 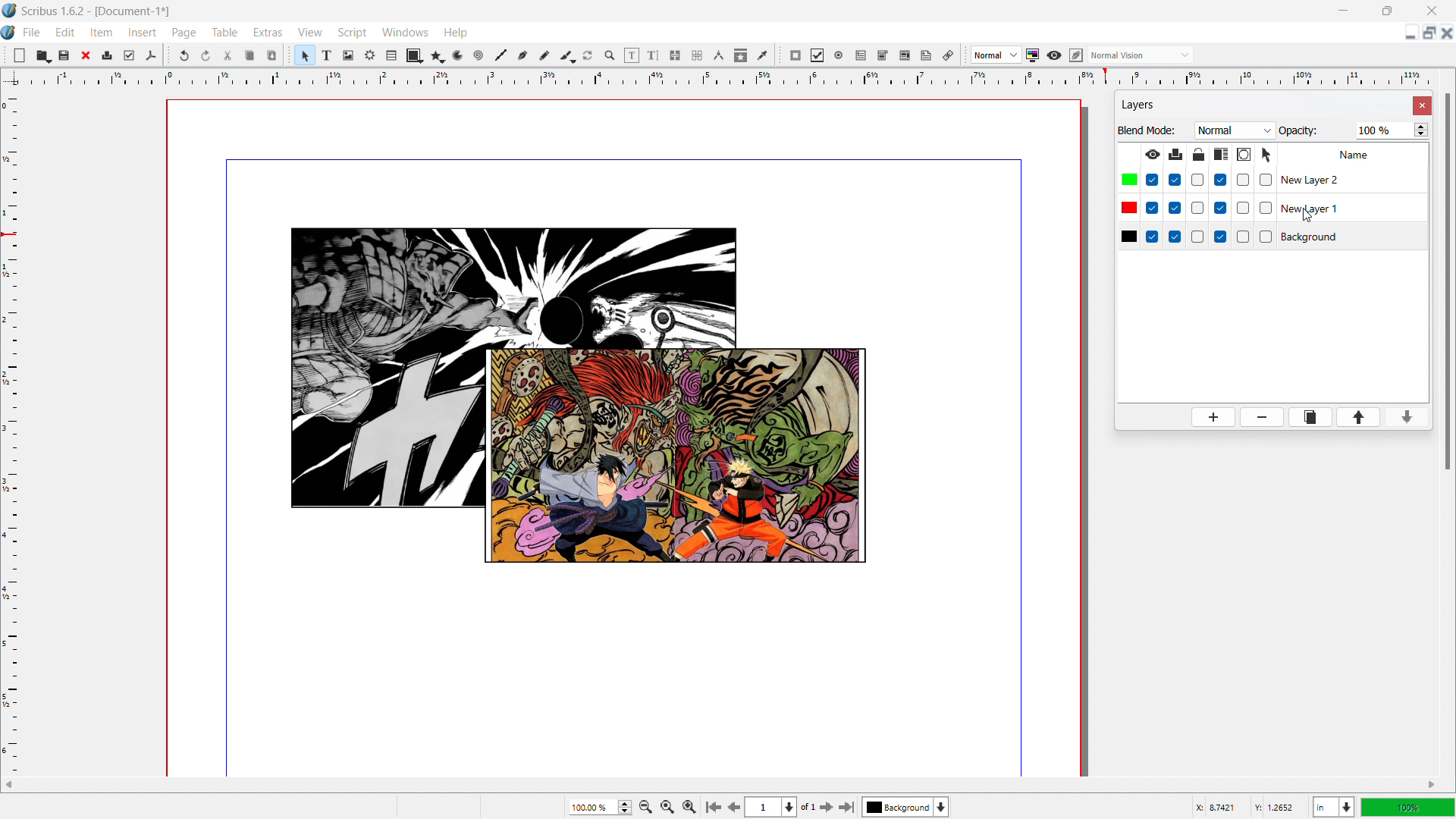 I want to click on pdf push button, so click(x=795, y=55).